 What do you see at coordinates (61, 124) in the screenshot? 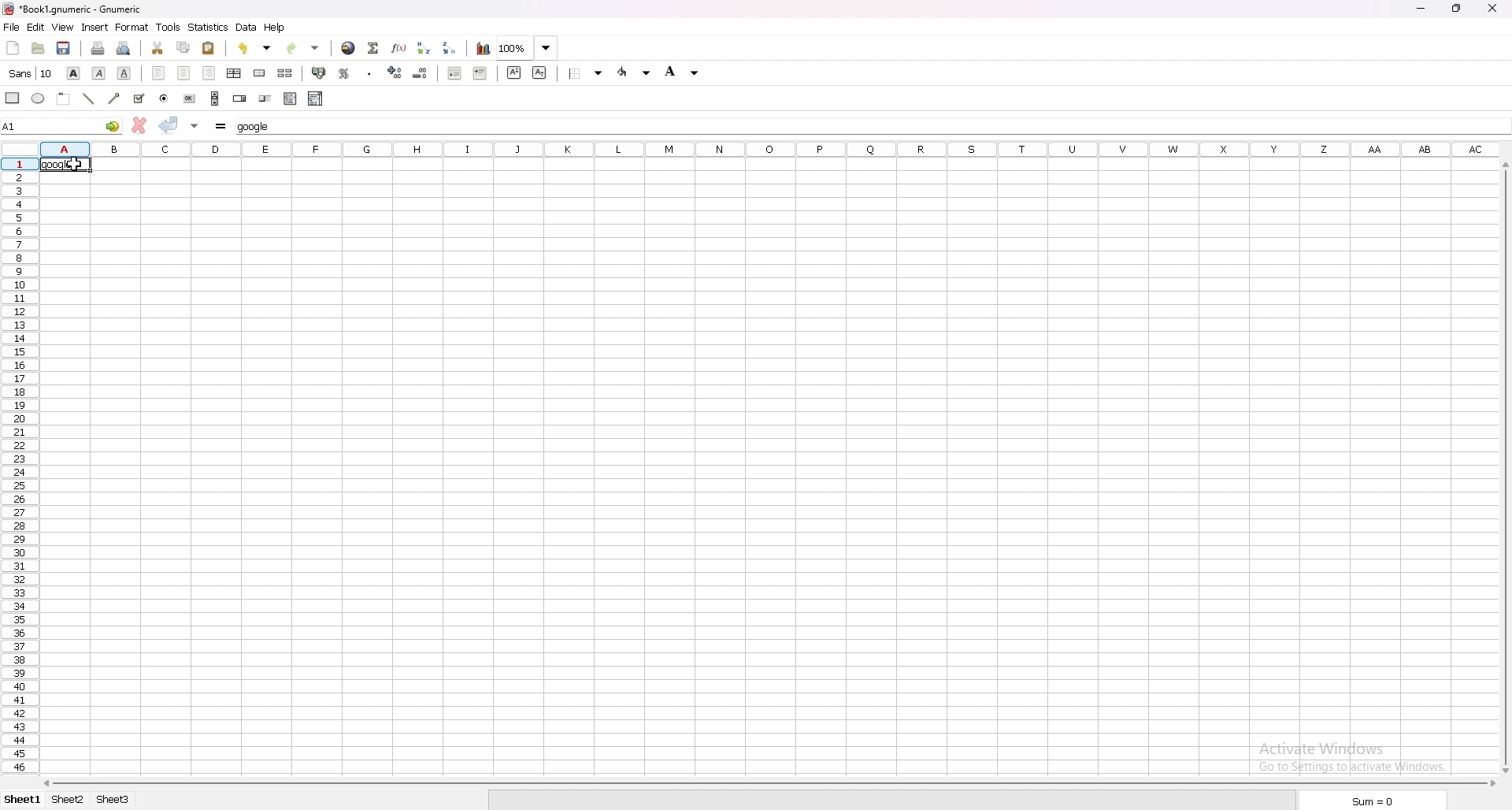
I see `selected cell` at bounding box center [61, 124].